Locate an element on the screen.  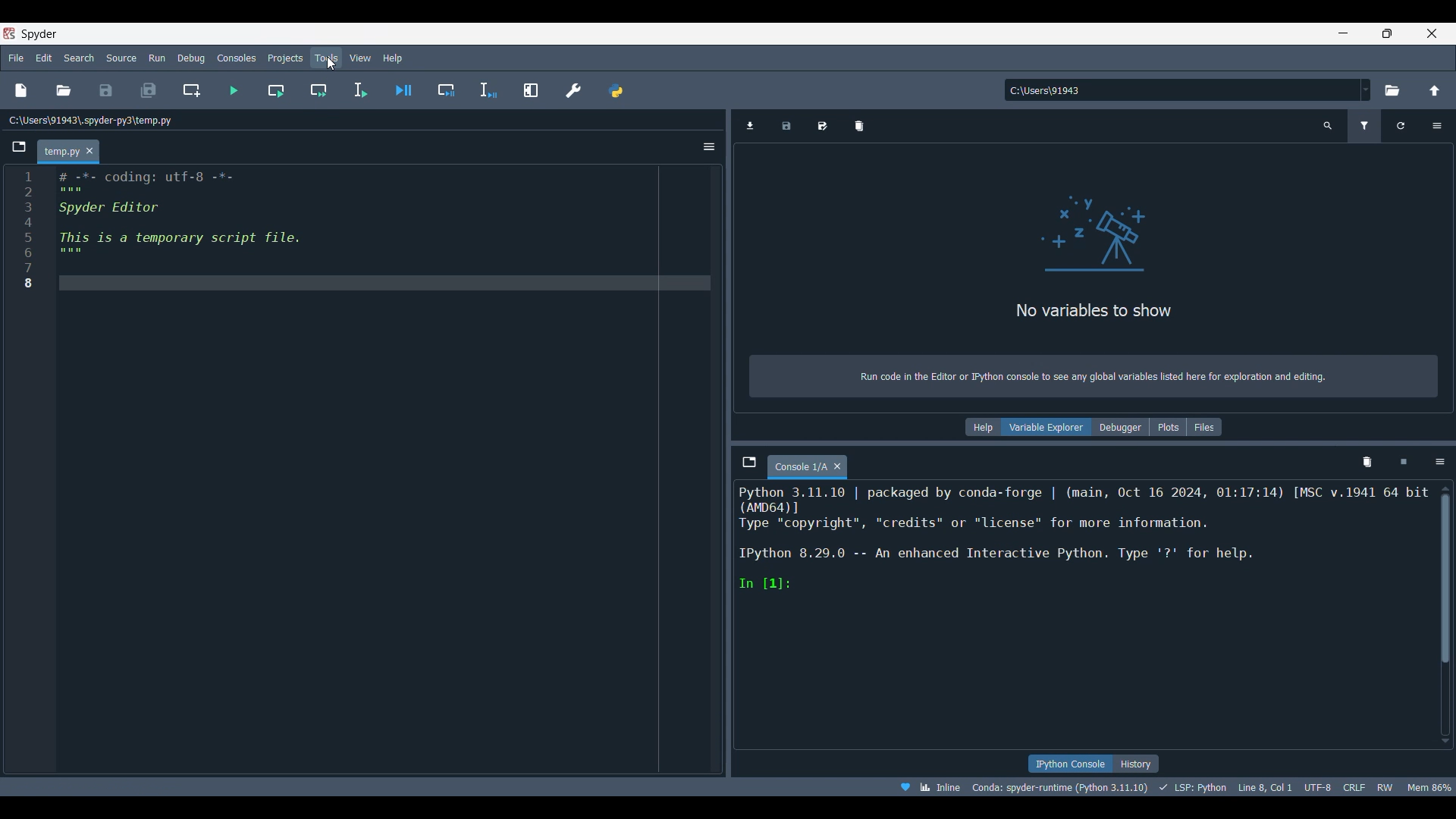
Debug selection or current line is located at coordinates (488, 91).